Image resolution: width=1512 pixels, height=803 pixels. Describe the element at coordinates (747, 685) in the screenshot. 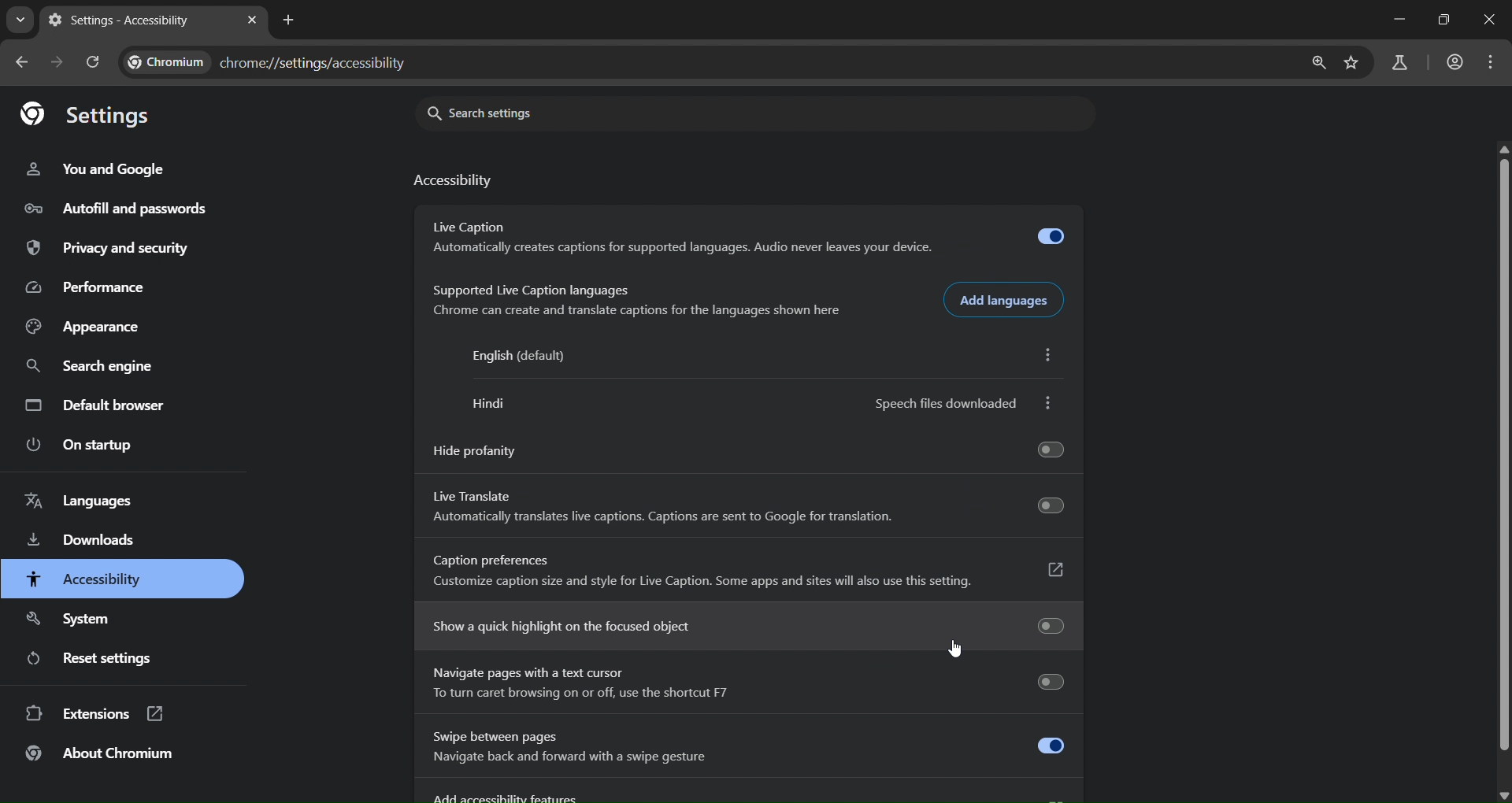

I see `Navigate pages with a text cursor @To turn caret browsing on or off, use the shortcut F7` at that location.